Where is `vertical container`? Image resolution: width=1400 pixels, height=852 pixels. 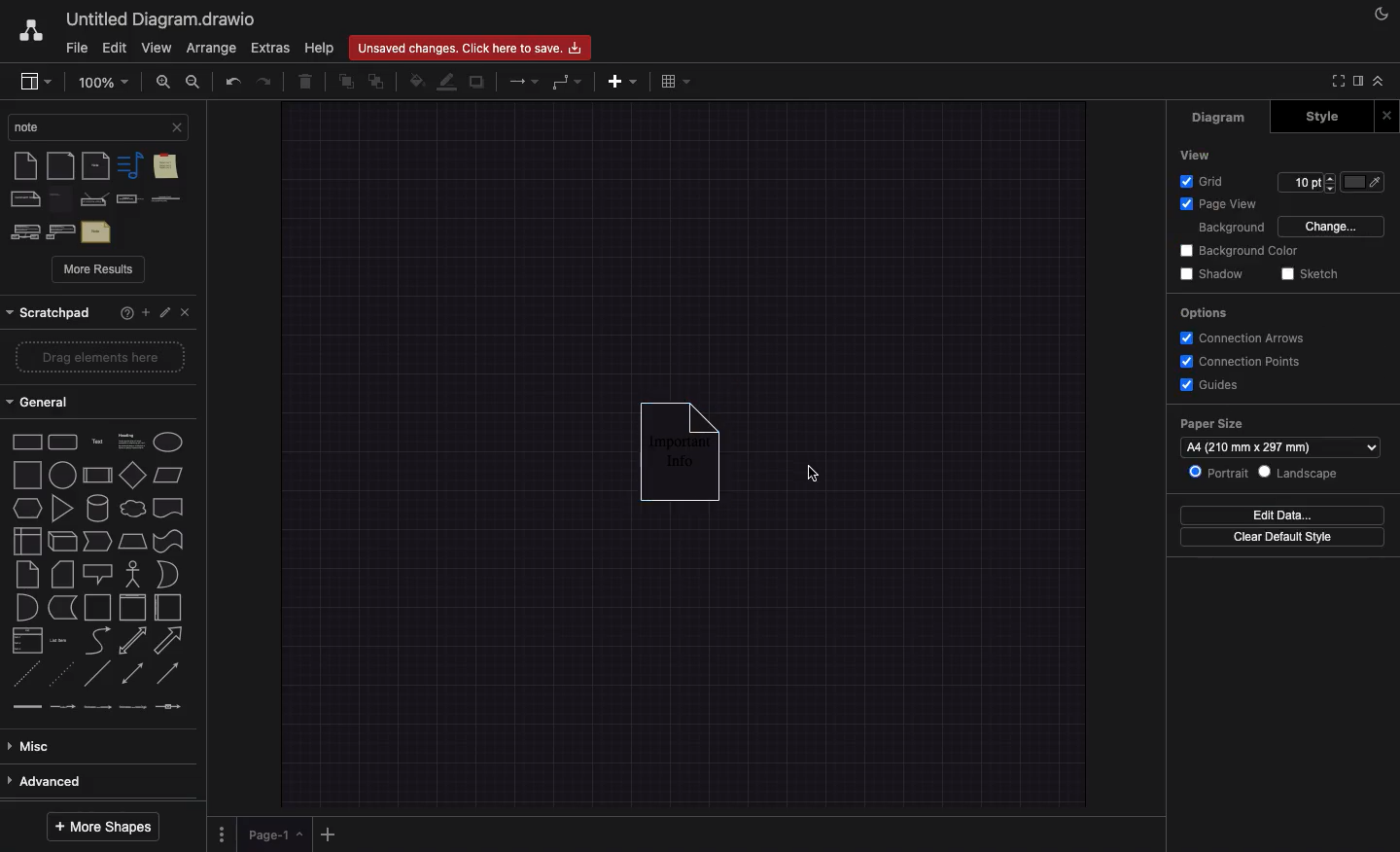
vertical container is located at coordinates (132, 607).